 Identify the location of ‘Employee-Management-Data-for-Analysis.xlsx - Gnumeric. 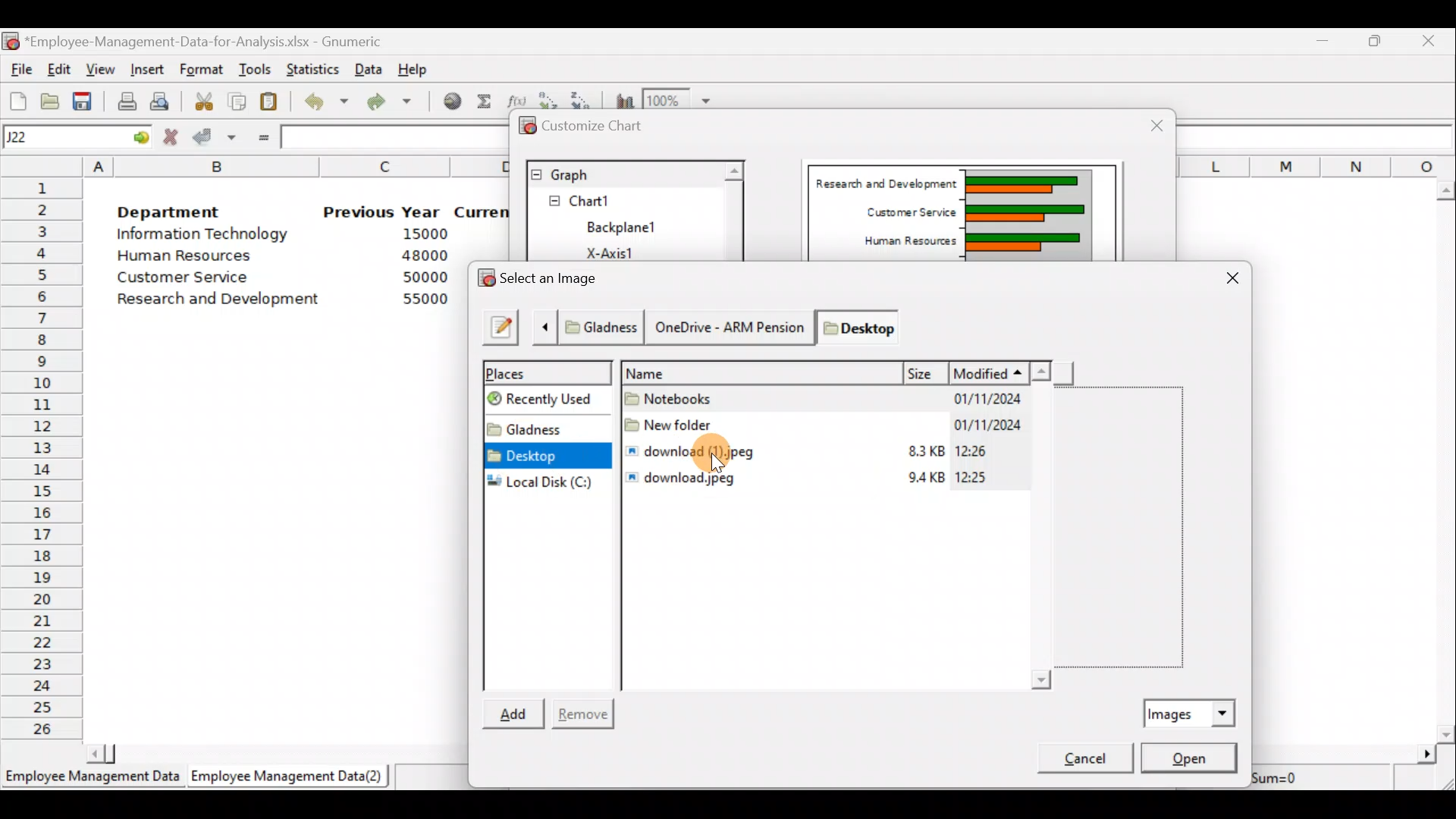
(219, 42).